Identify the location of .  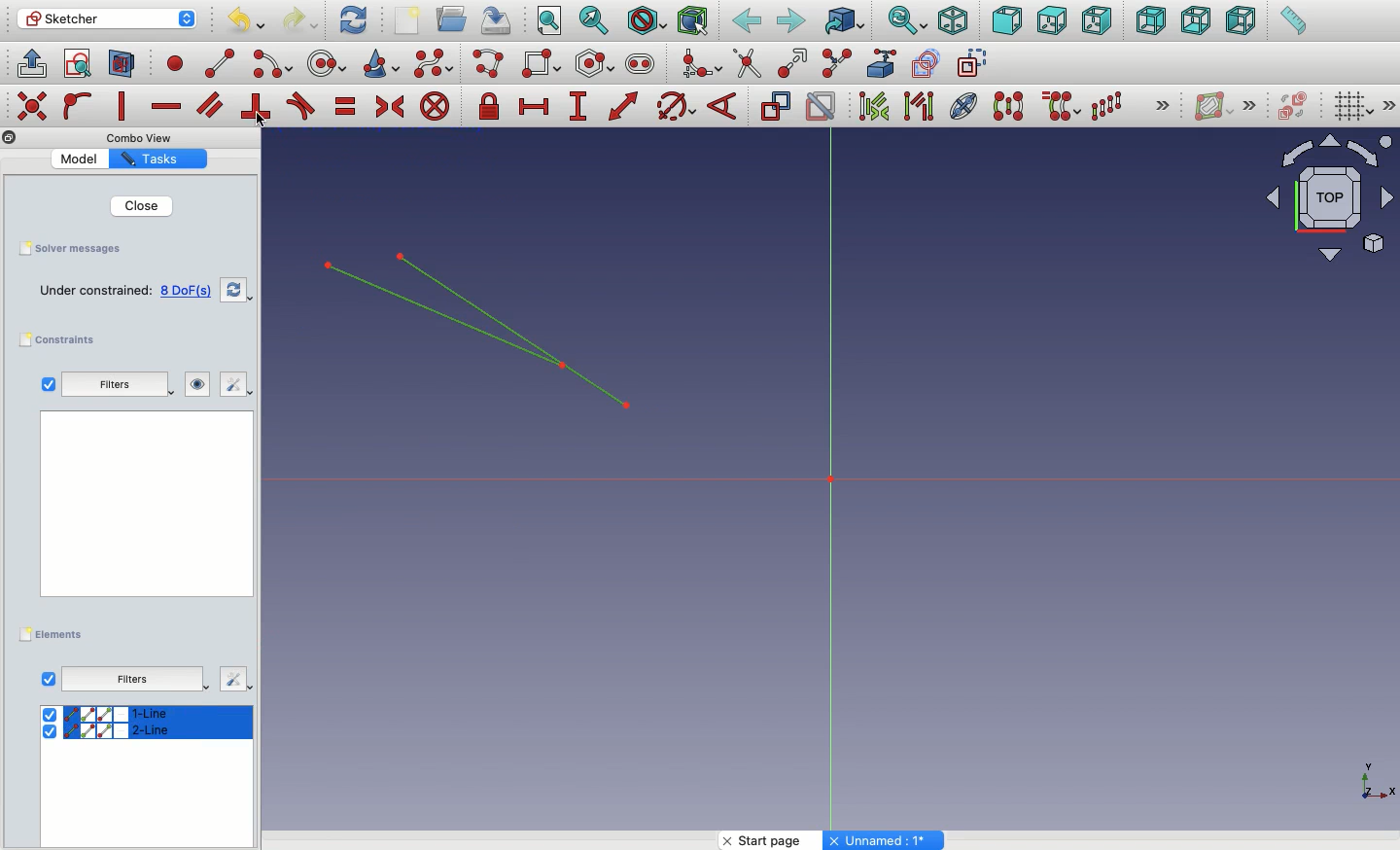
(1389, 105).